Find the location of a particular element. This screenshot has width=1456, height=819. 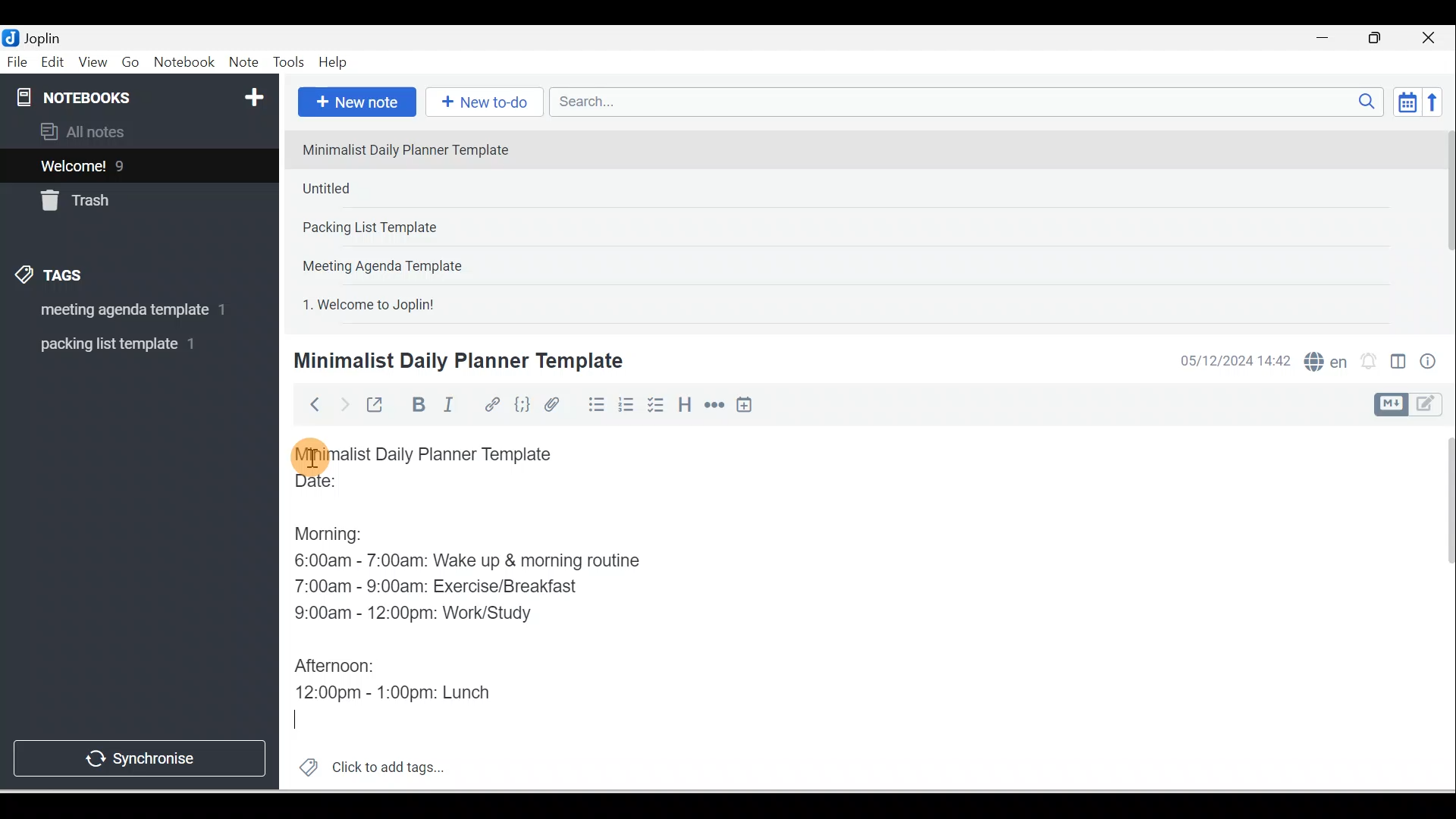

View is located at coordinates (93, 63).